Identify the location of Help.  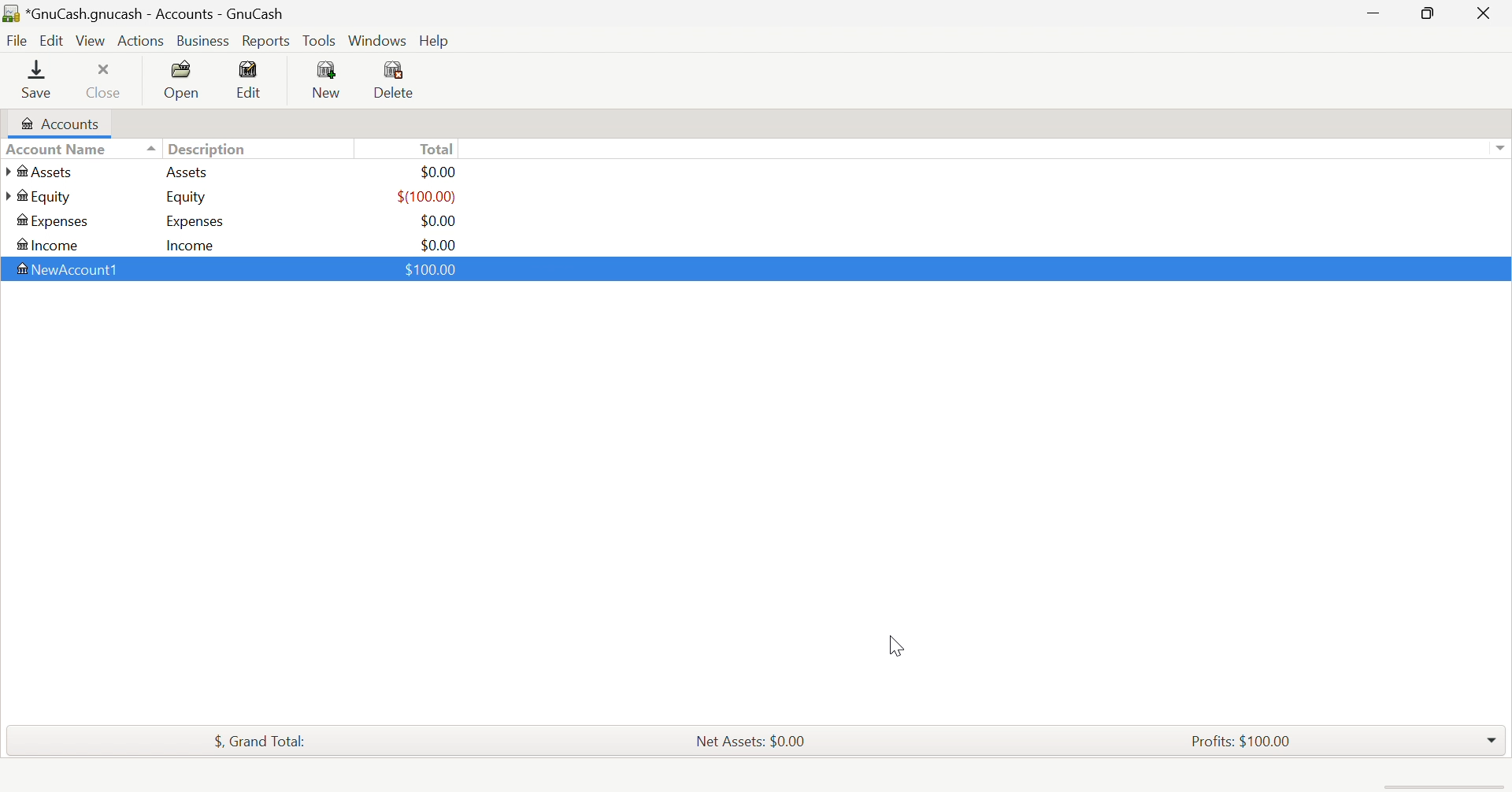
(437, 40).